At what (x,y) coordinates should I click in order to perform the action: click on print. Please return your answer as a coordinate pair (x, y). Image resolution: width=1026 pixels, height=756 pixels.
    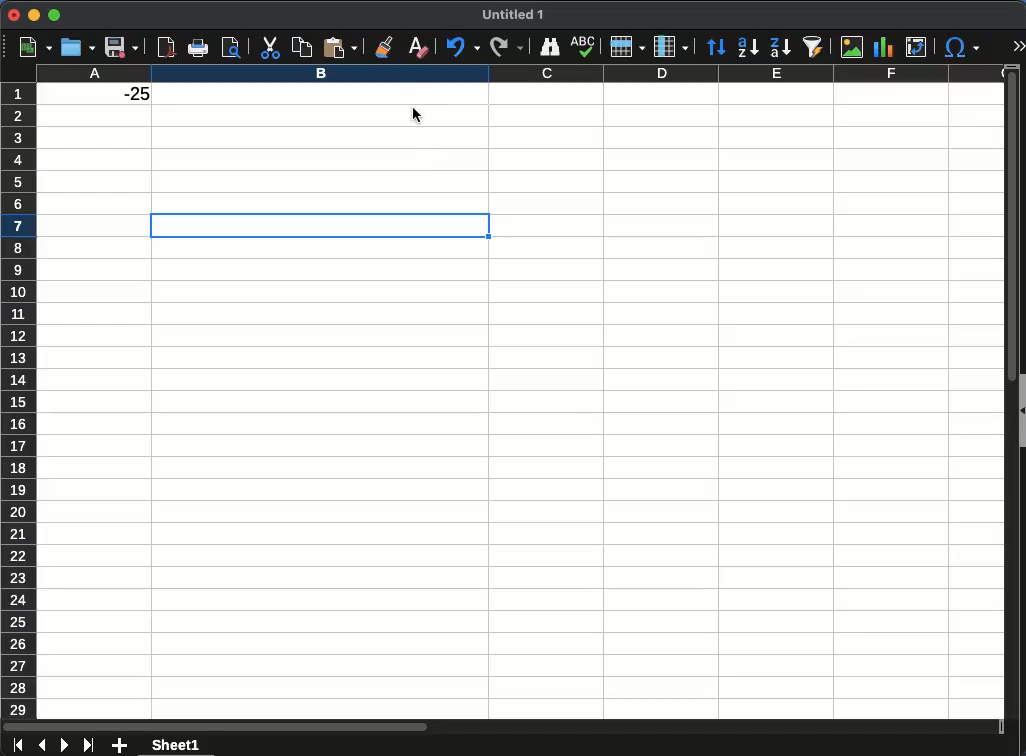
    Looking at the image, I should click on (199, 48).